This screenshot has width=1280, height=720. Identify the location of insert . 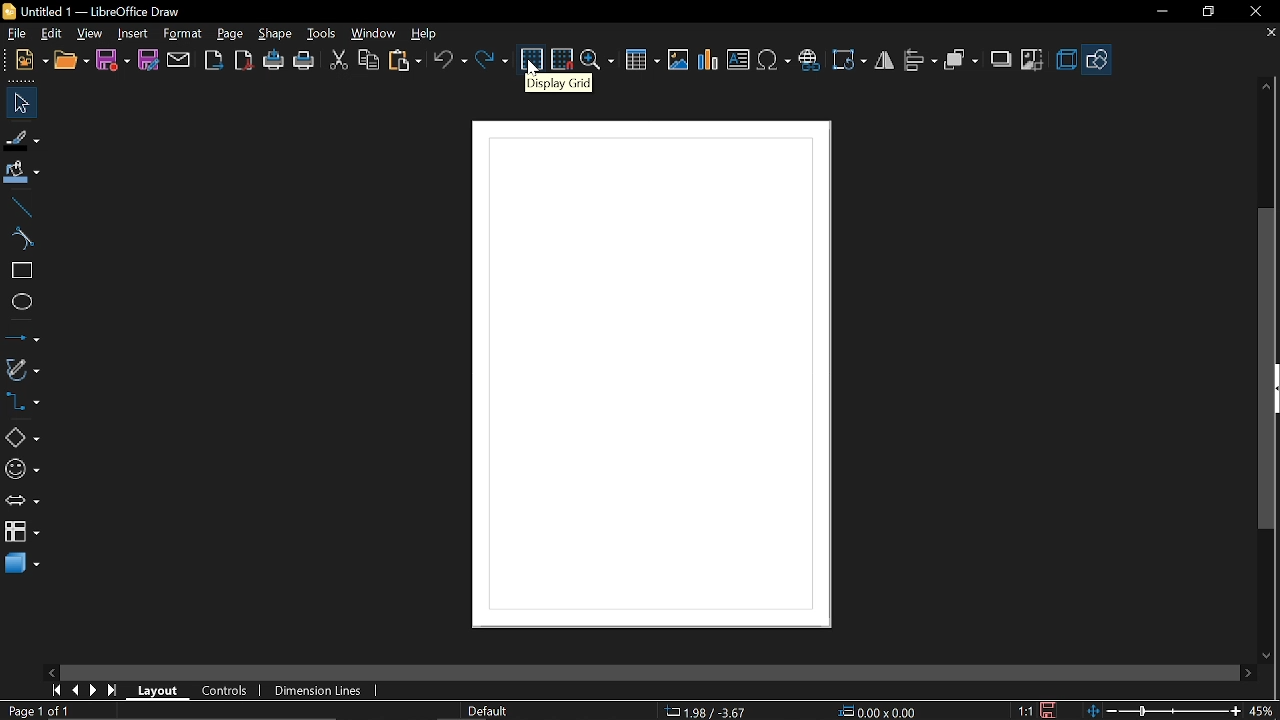
(132, 35).